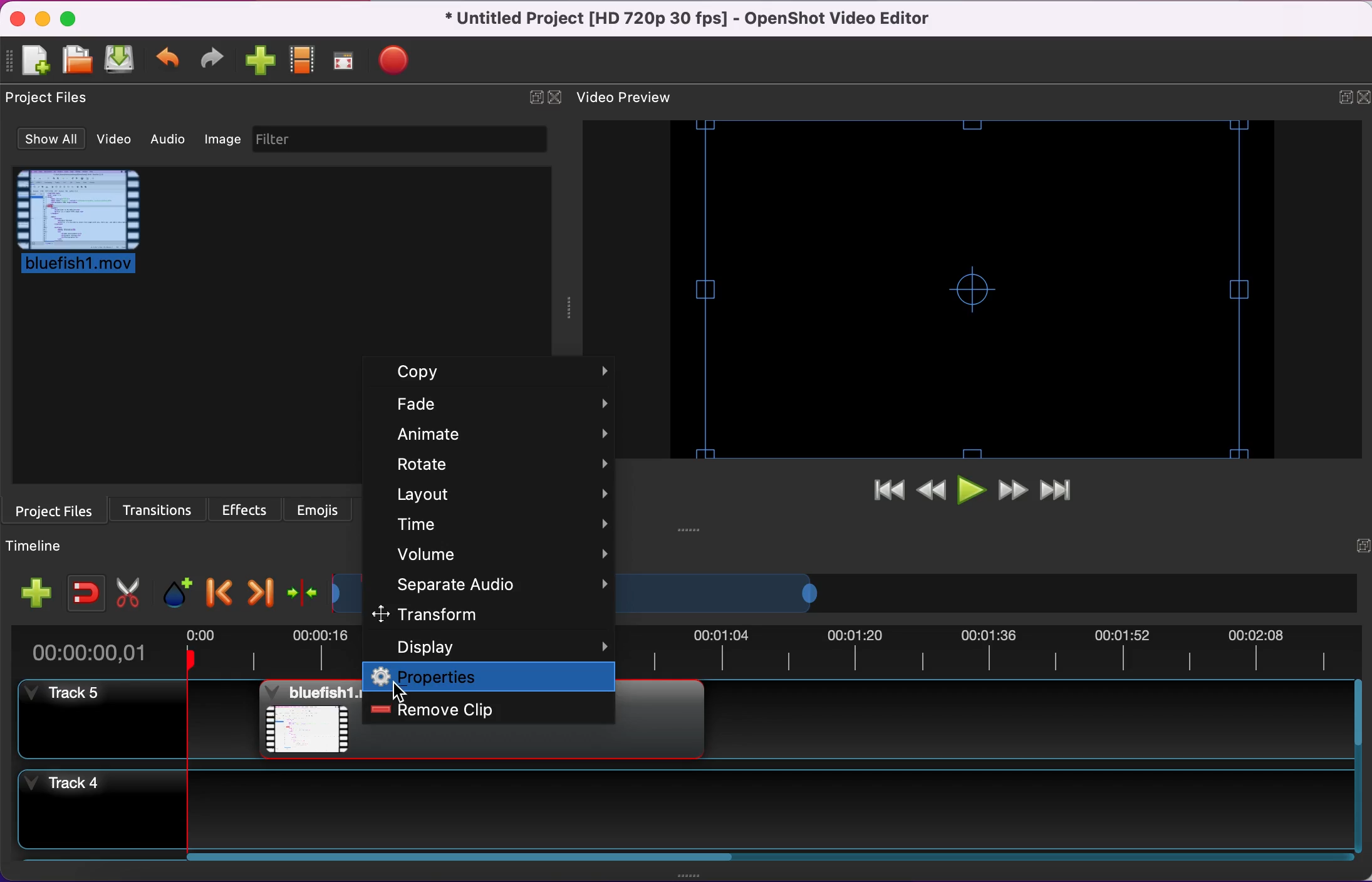 The height and width of the screenshot is (882, 1372). Describe the element at coordinates (1061, 488) in the screenshot. I see `jump to end` at that location.